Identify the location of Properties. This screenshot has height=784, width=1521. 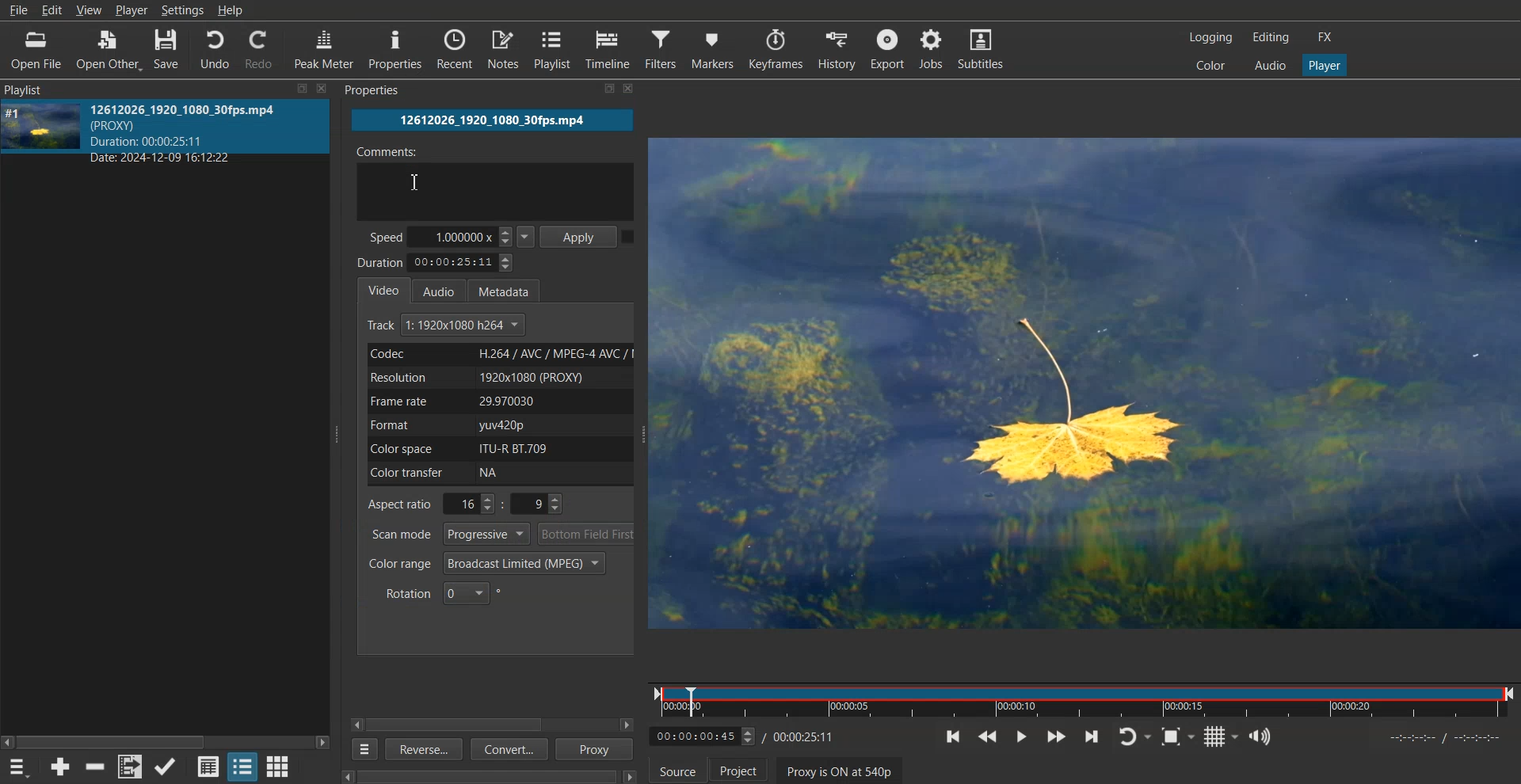
(396, 50).